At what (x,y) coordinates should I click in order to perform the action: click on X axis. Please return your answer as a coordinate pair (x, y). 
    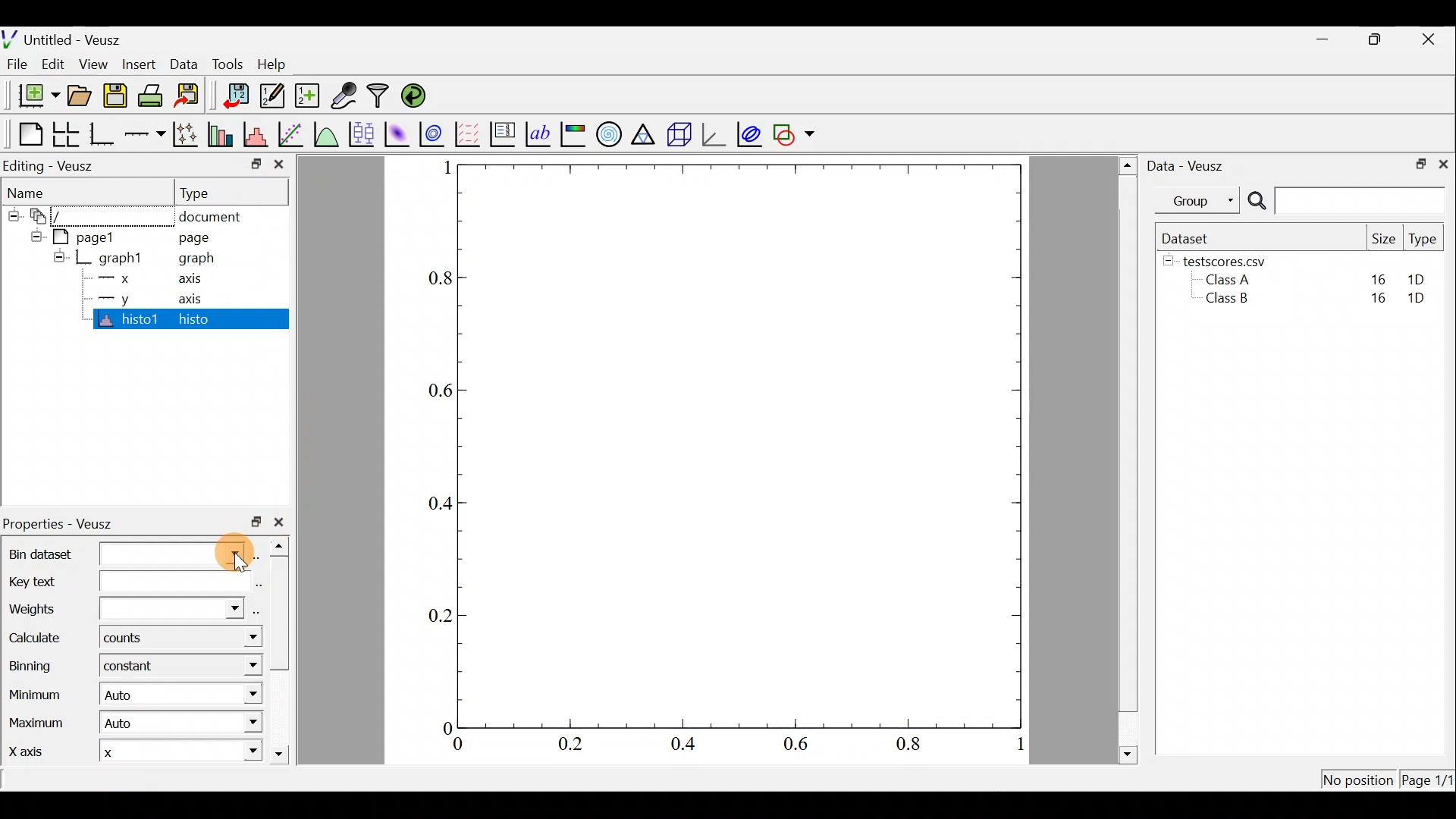
    Looking at the image, I should click on (33, 754).